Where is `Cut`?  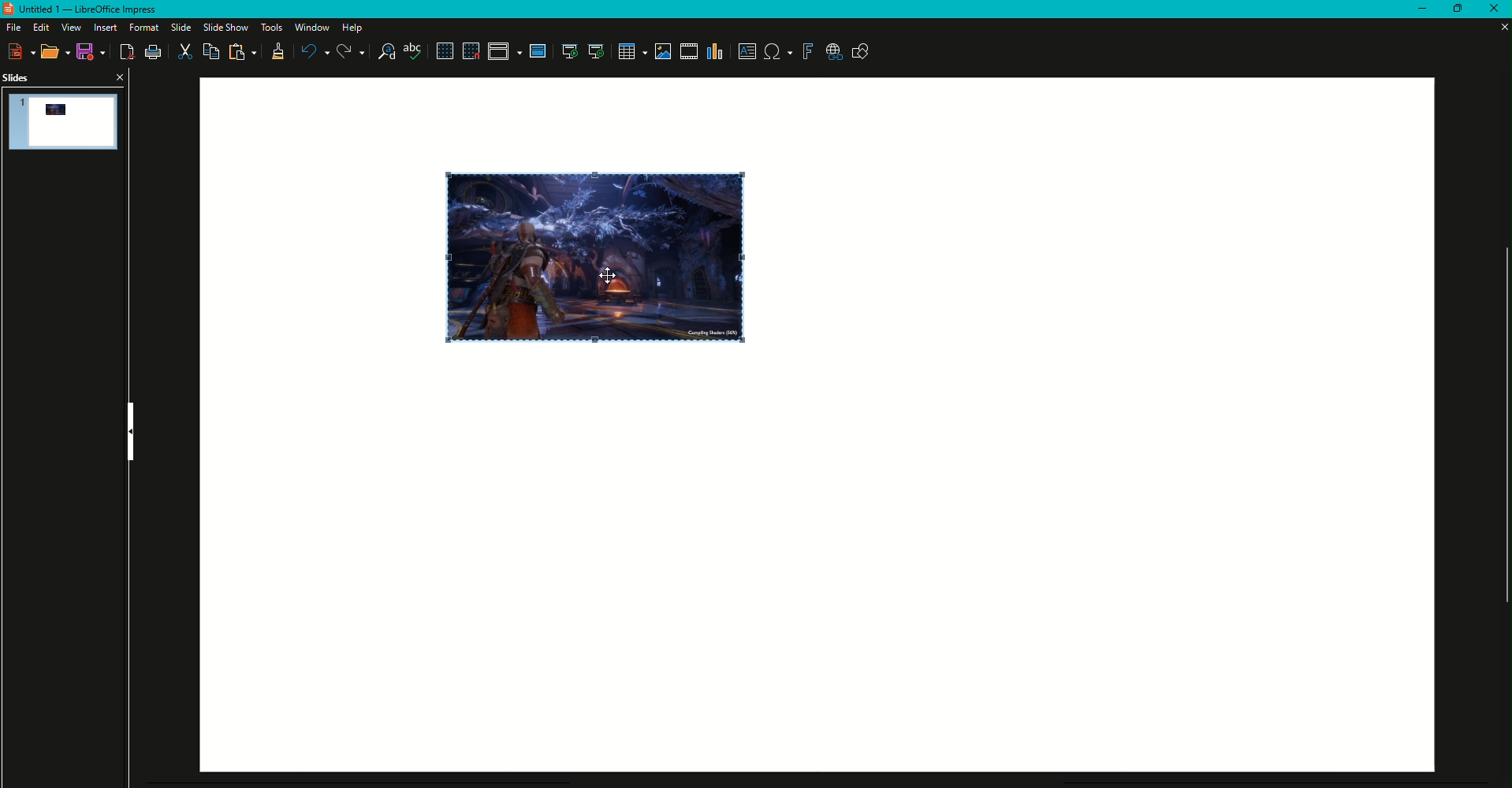 Cut is located at coordinates (184, 53).